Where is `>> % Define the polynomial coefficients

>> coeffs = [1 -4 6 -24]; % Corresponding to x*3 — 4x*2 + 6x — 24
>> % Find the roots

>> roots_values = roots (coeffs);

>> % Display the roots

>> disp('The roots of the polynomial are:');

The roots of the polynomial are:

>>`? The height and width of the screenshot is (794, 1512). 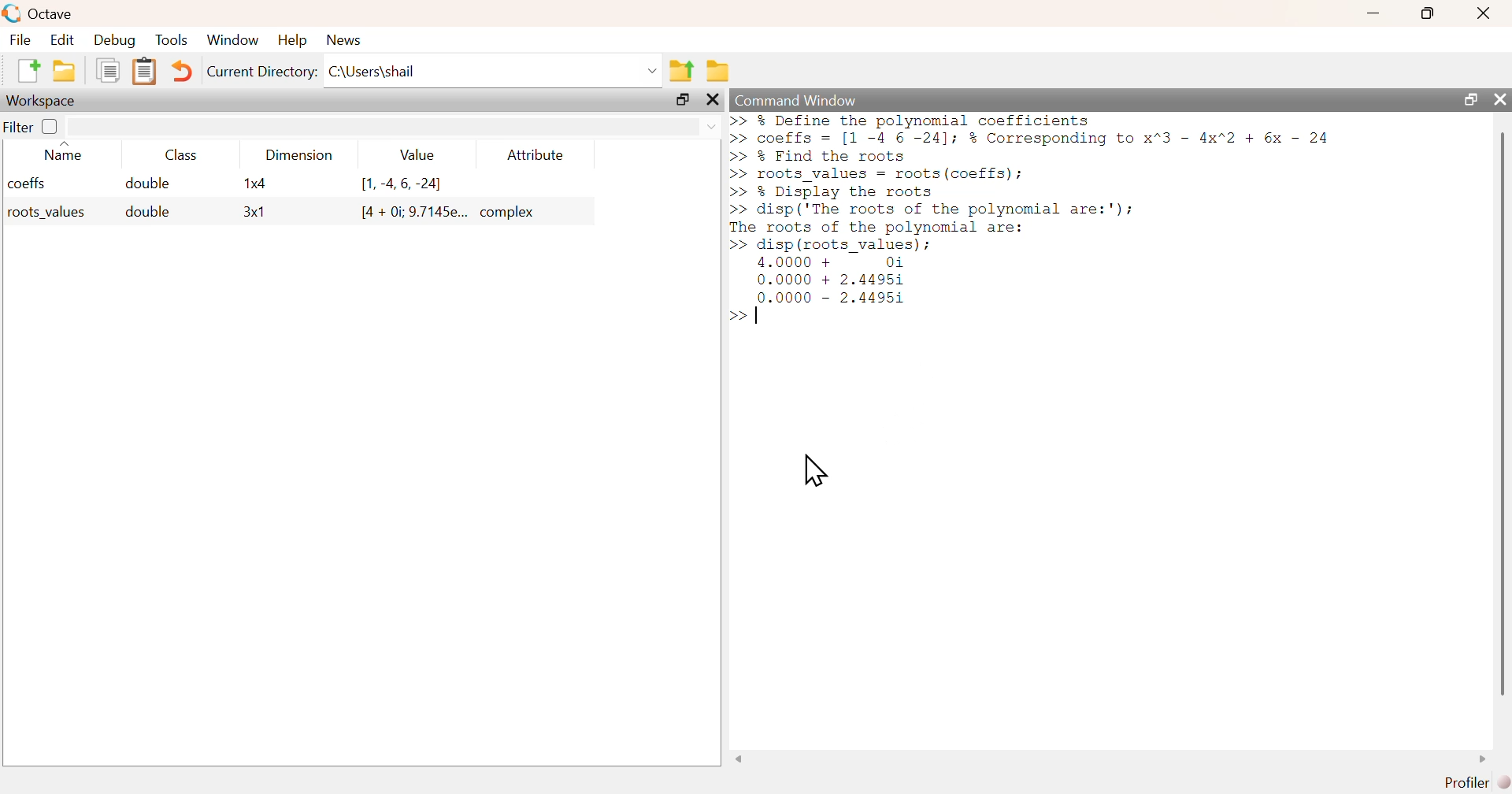 >> % Define the polynomial coefficients

>> coeffs = [1 -4 6 -24]; % Corresponding to x*3 — 4x*2 + 6x — 24
>> % Find the roots

>> roots_values = roots (coeffs);

>> % Display the roots

>> disp('The roots of the polynomial are:');

The roots of the polynomial are:

>> is located at coordinates (1031, 184).